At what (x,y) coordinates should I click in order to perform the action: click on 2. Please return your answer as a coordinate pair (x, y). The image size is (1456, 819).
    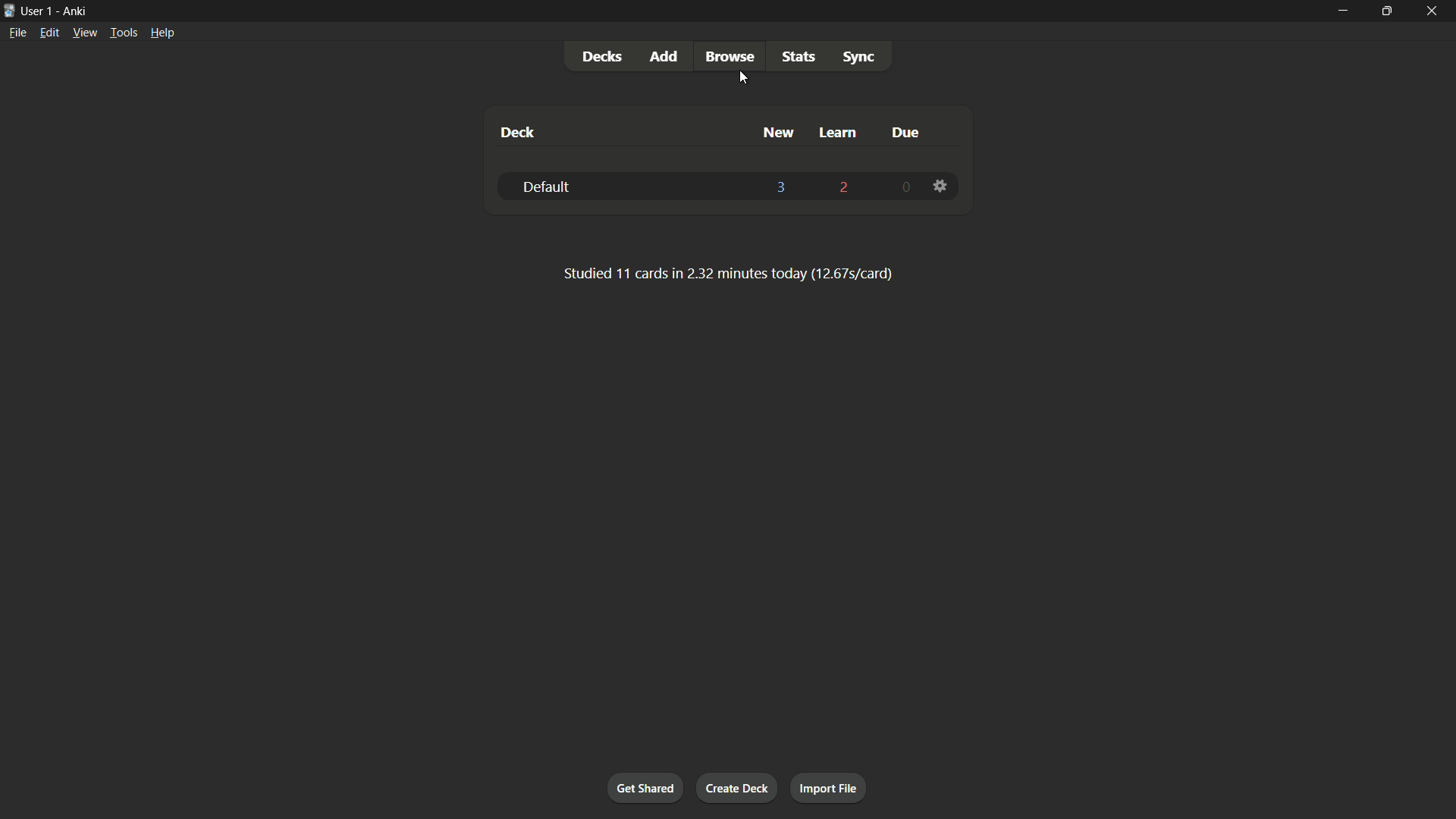
    Looking at the image, I should click on (844, 187).